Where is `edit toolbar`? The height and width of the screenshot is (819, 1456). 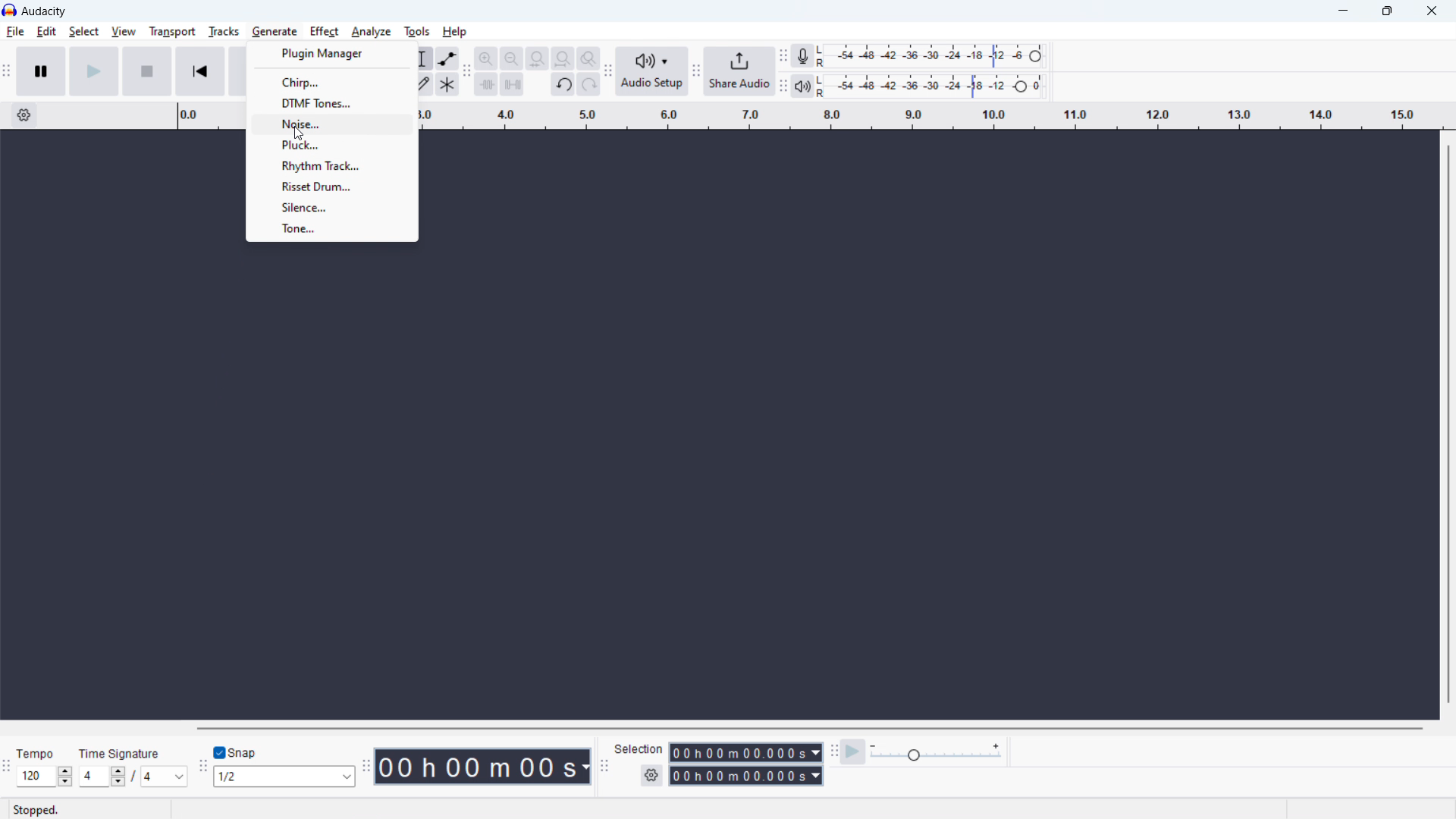
edit toolbar is located at coordinates (467, 72).